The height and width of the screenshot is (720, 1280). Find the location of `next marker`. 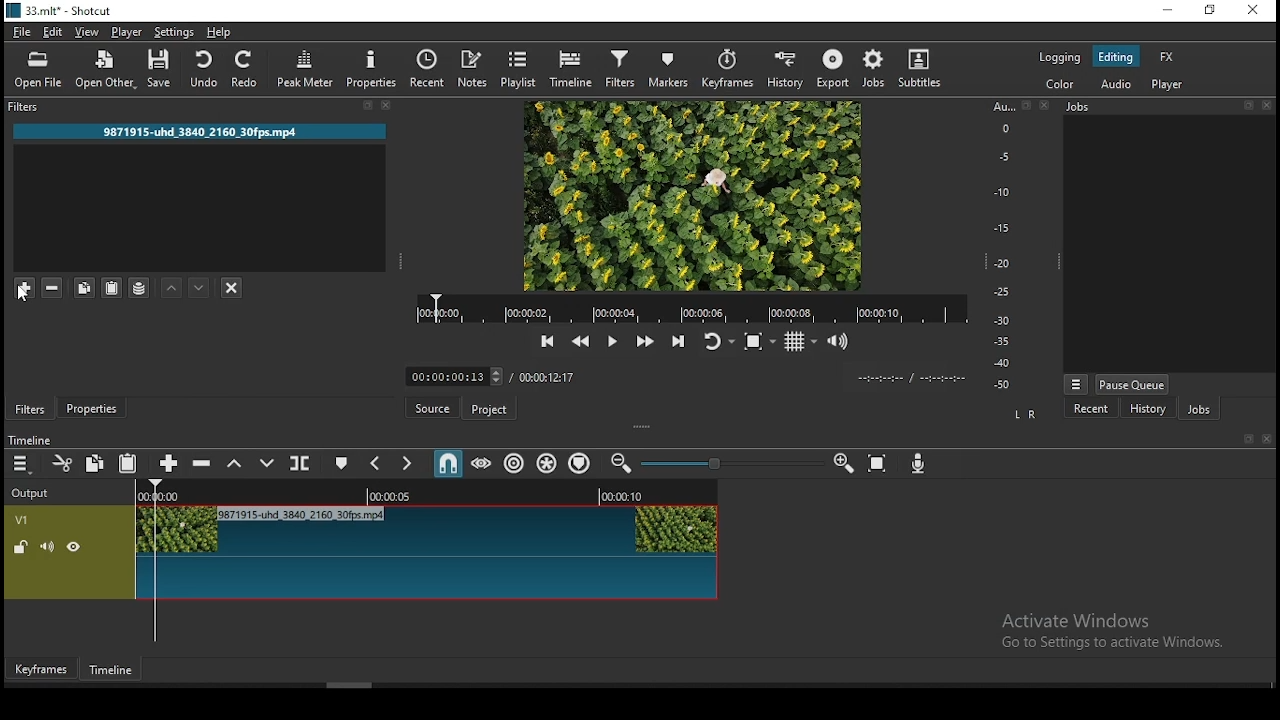

next marker is located at coordinates (407, 462).